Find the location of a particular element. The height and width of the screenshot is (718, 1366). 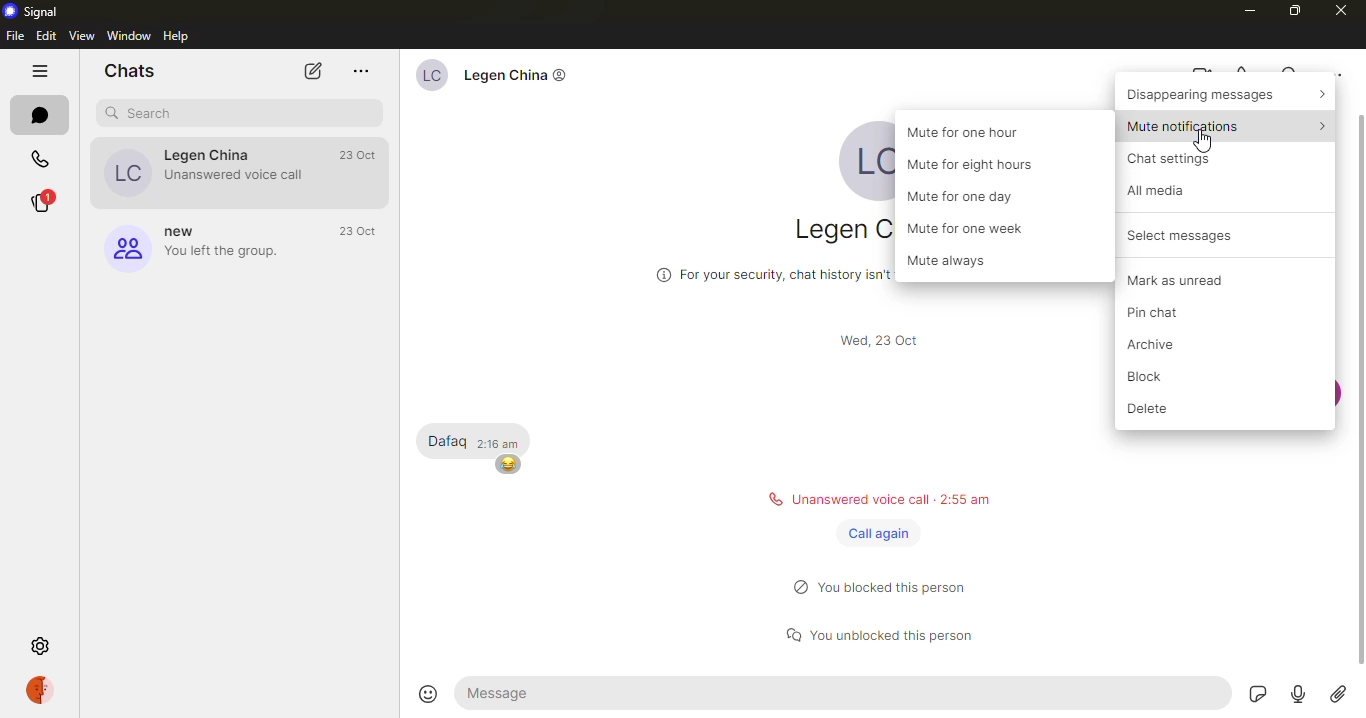

select messages is located at coordinates (1190, 235).